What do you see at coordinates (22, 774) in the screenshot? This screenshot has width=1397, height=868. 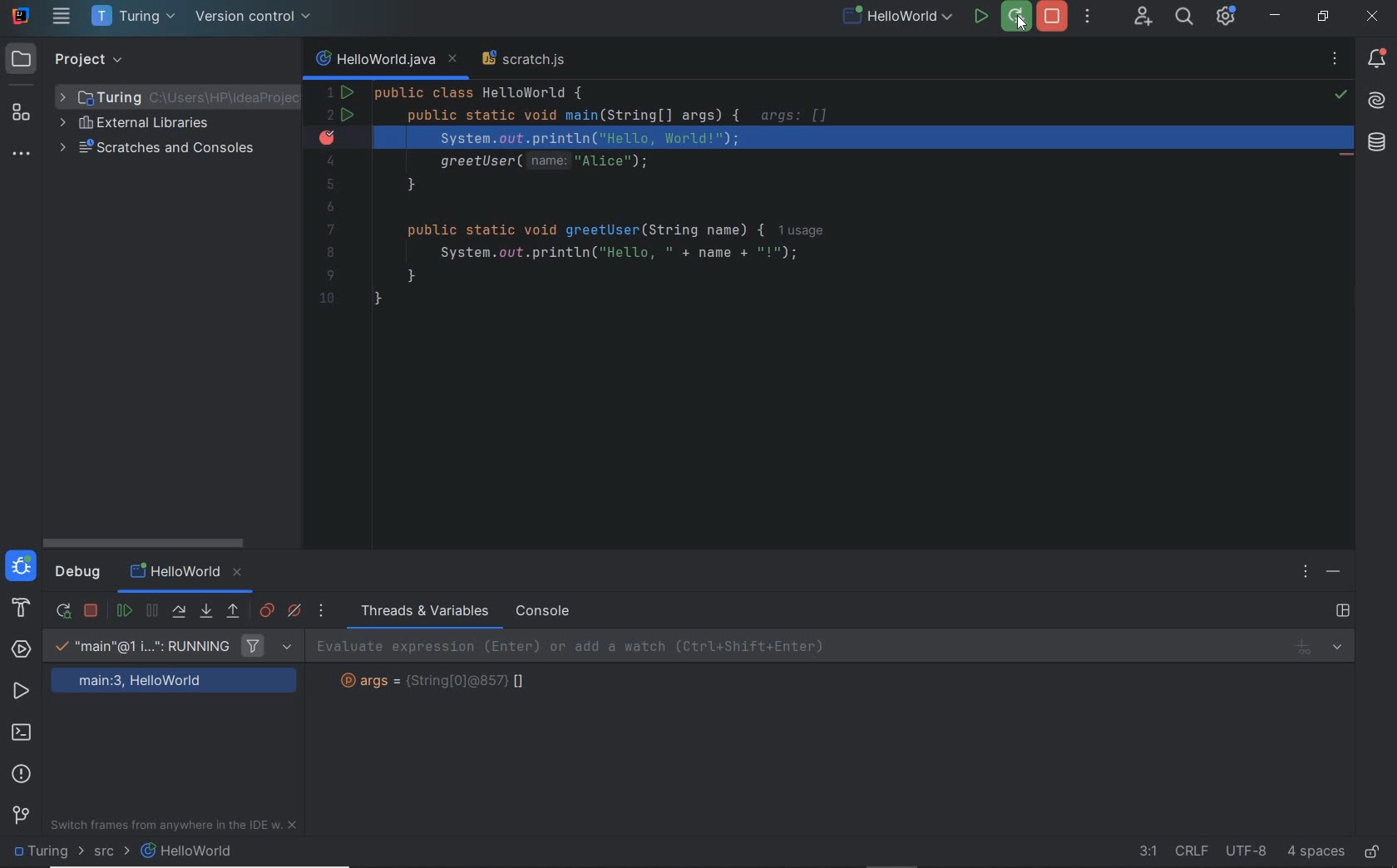 I see `problems` at bounding box center [22, 774].